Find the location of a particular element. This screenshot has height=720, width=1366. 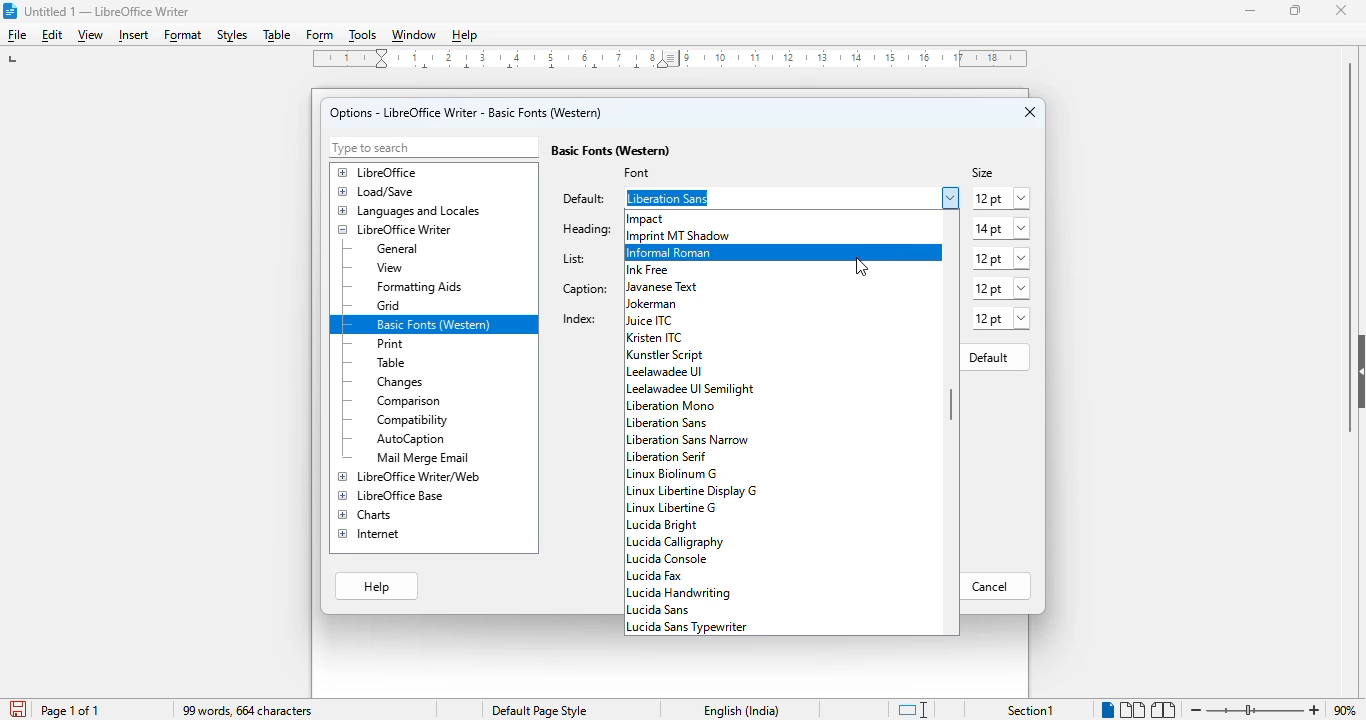

fonts is located at coordinates (692, 449).